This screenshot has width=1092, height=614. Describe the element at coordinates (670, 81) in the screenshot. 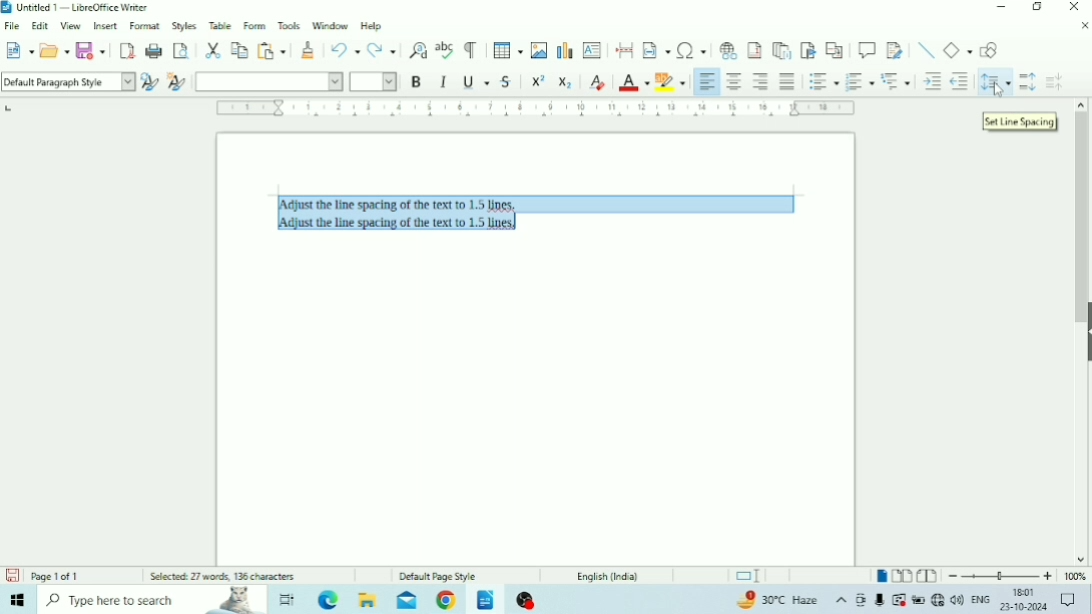

I see `Character Highlighting Color` at that location.